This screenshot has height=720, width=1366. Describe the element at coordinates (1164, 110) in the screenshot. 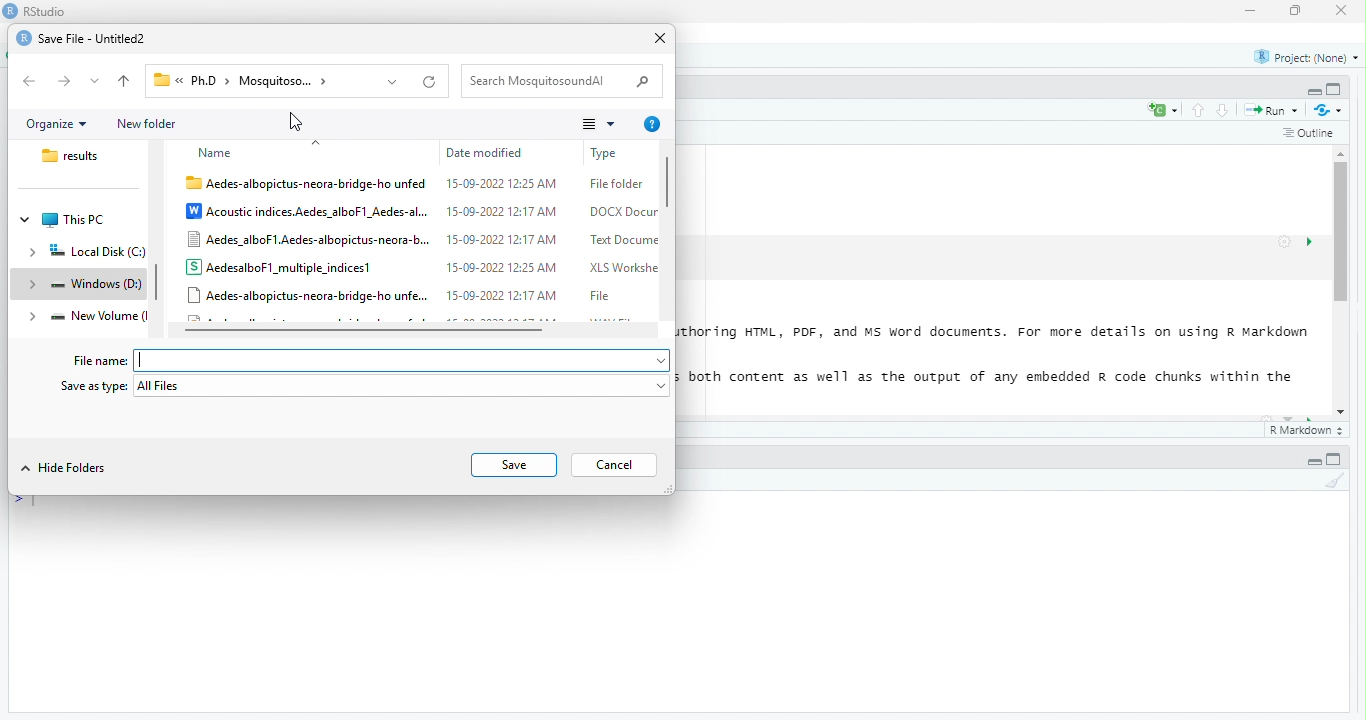

I see `C+` at that location.